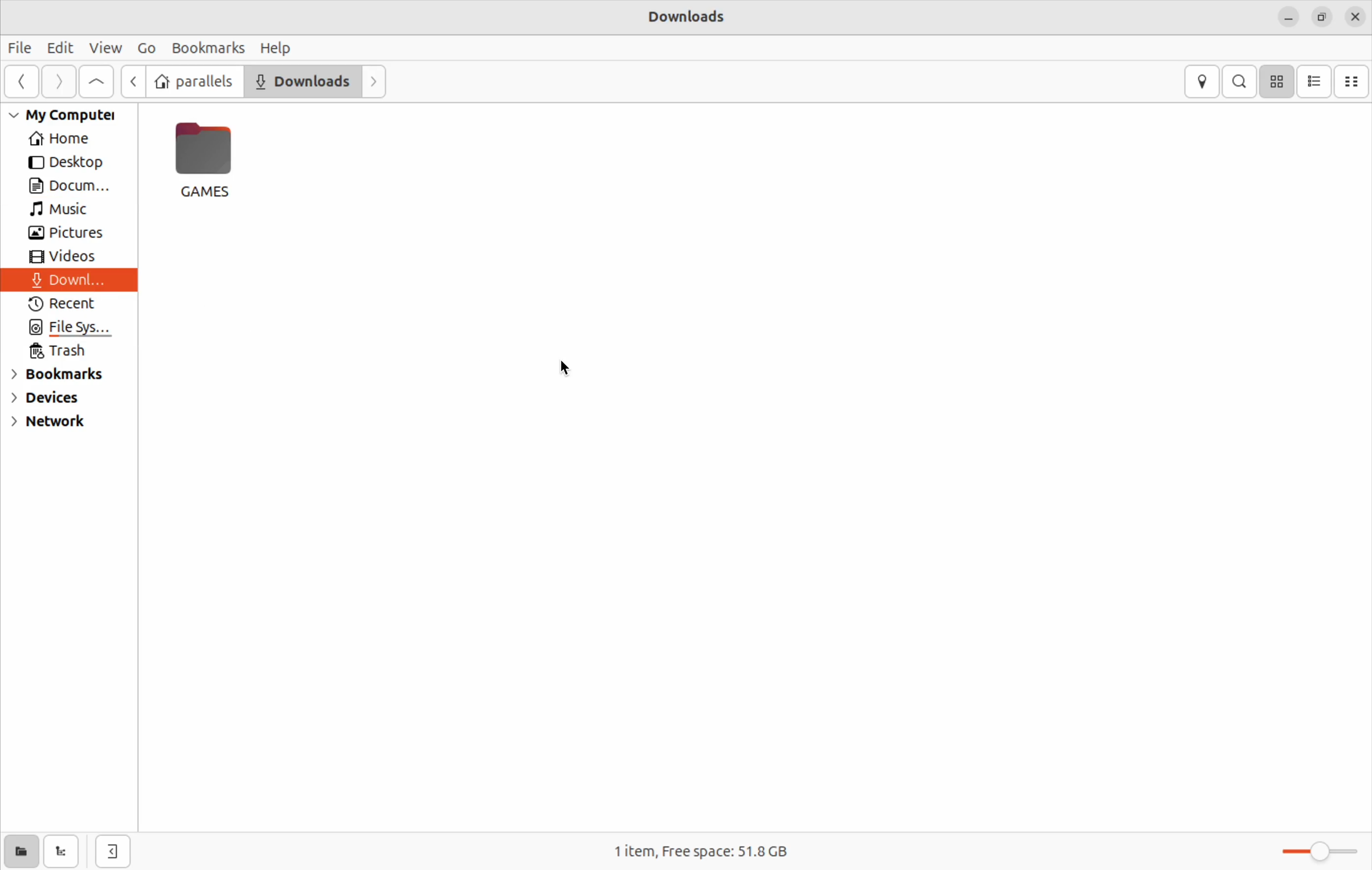 The height and width of the screenshot is (870, 1372). I want to click on close, so click(1355, 15).